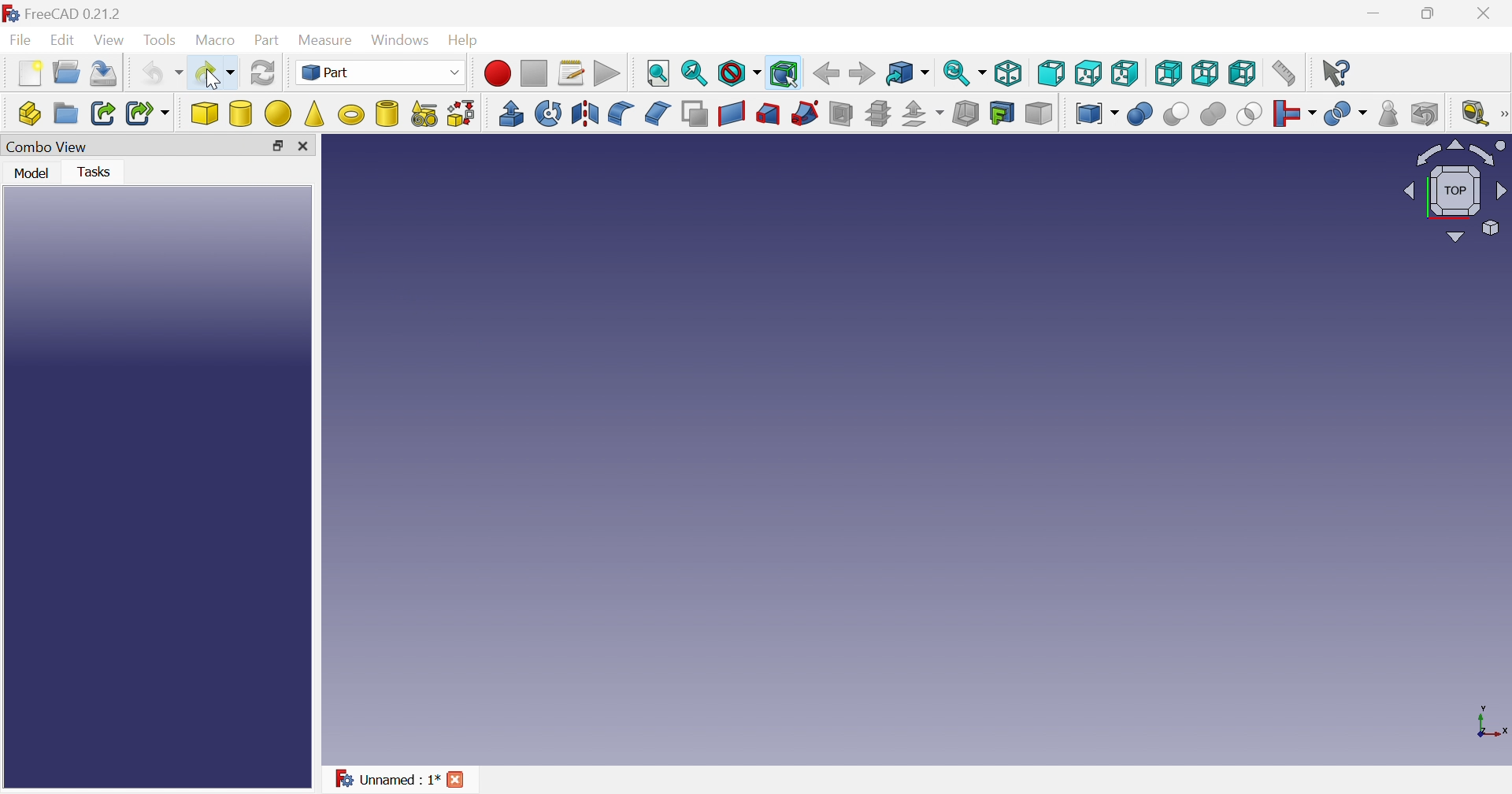 The image size is (1512, 794). What do you see at coordinates (388, 114) in the screenshot?
I see `Create tube` at bounding box center [388, 114].